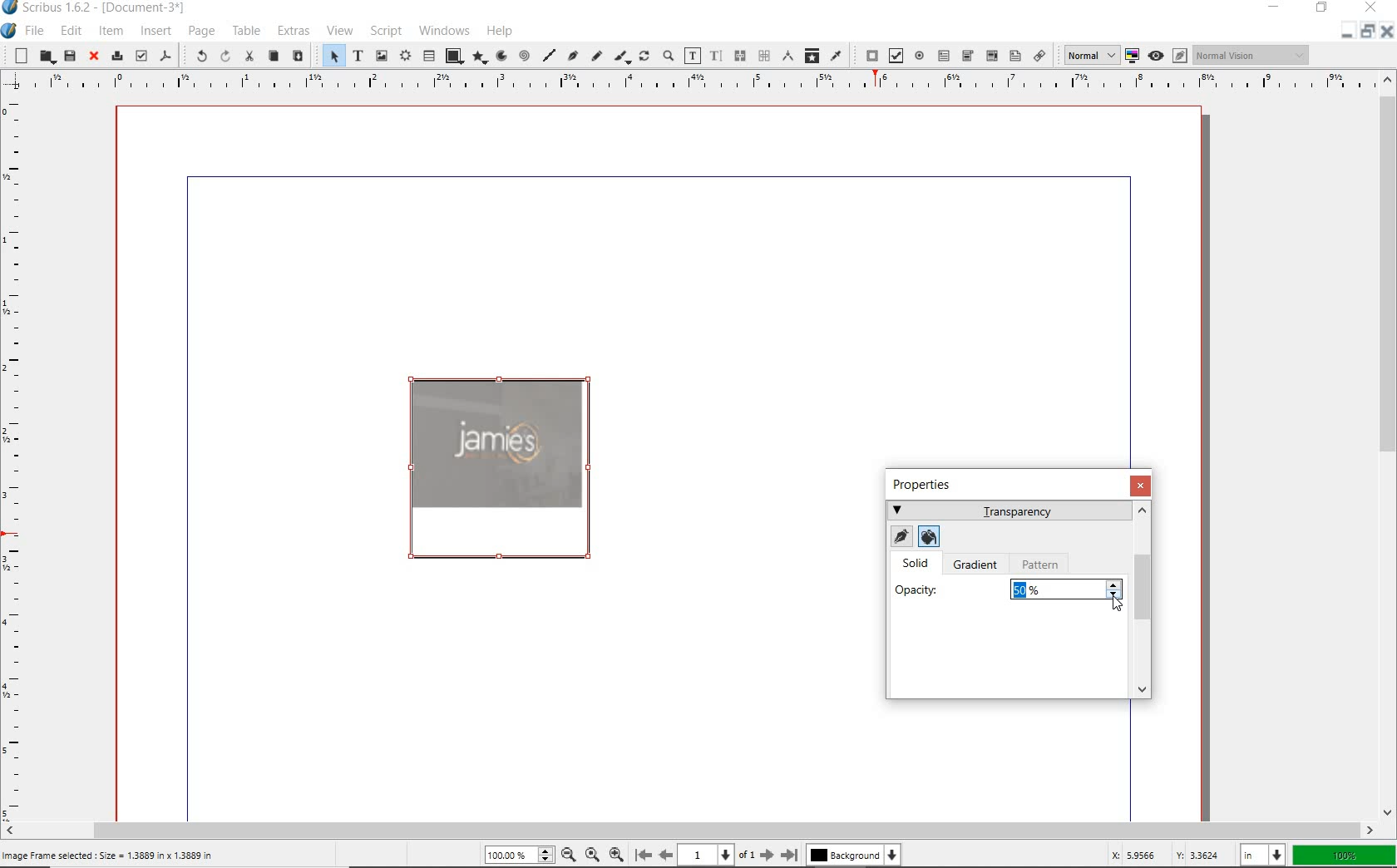 Image resolution: width=1397 pixels, height=868 pixels. I want to click on paste, so click(299, 57).